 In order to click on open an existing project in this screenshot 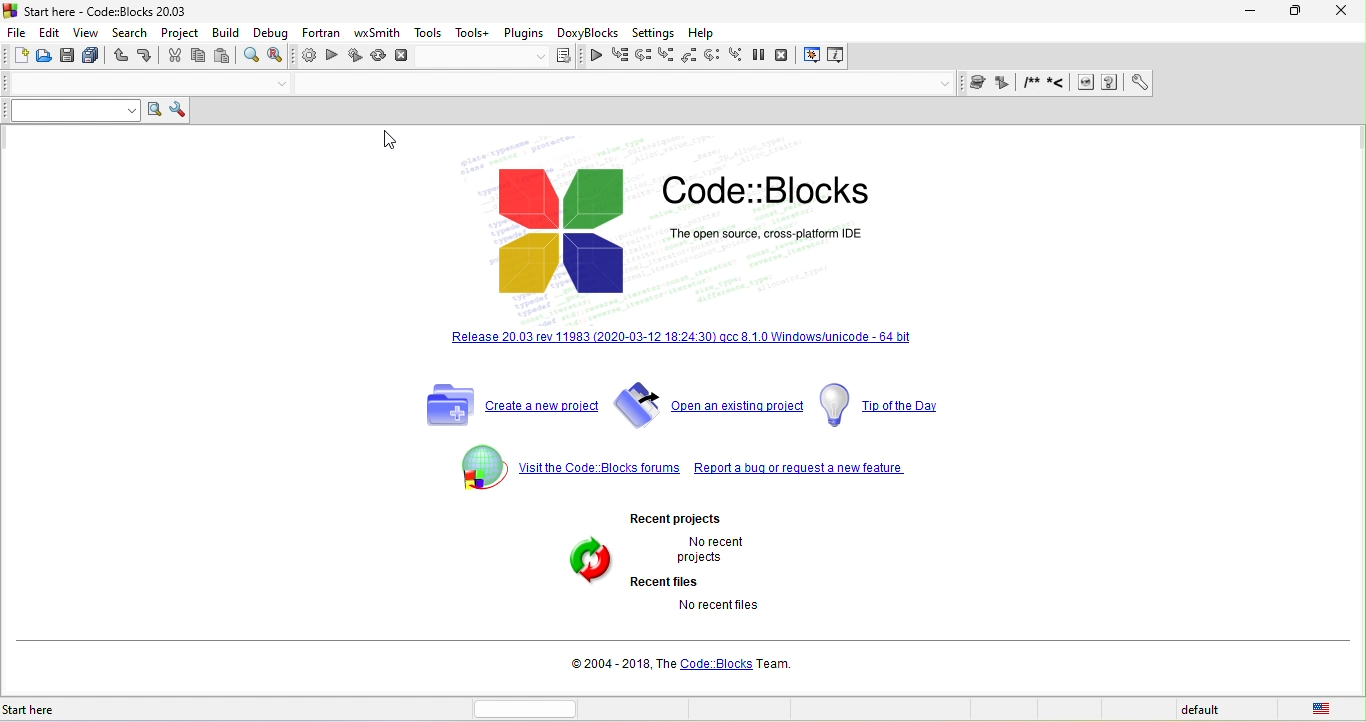, I will do `click(711, 404)`.